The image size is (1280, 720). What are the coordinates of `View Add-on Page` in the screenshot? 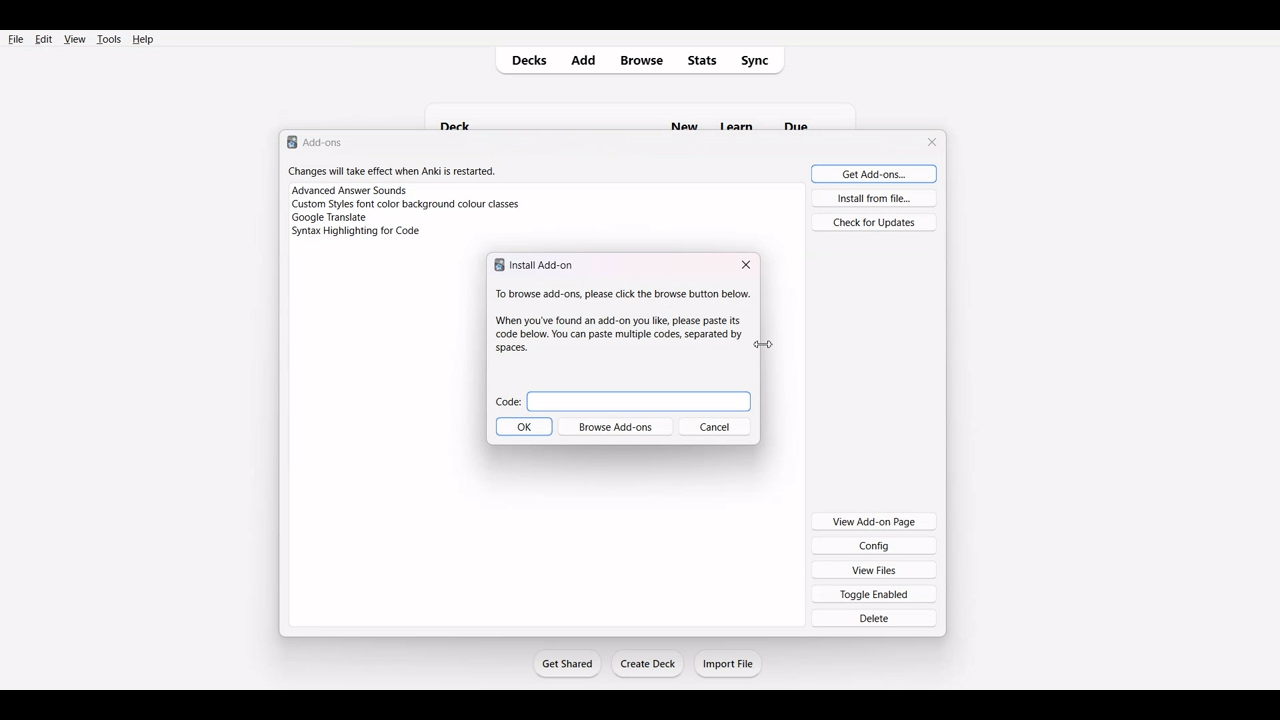 It's located at (874, 520).